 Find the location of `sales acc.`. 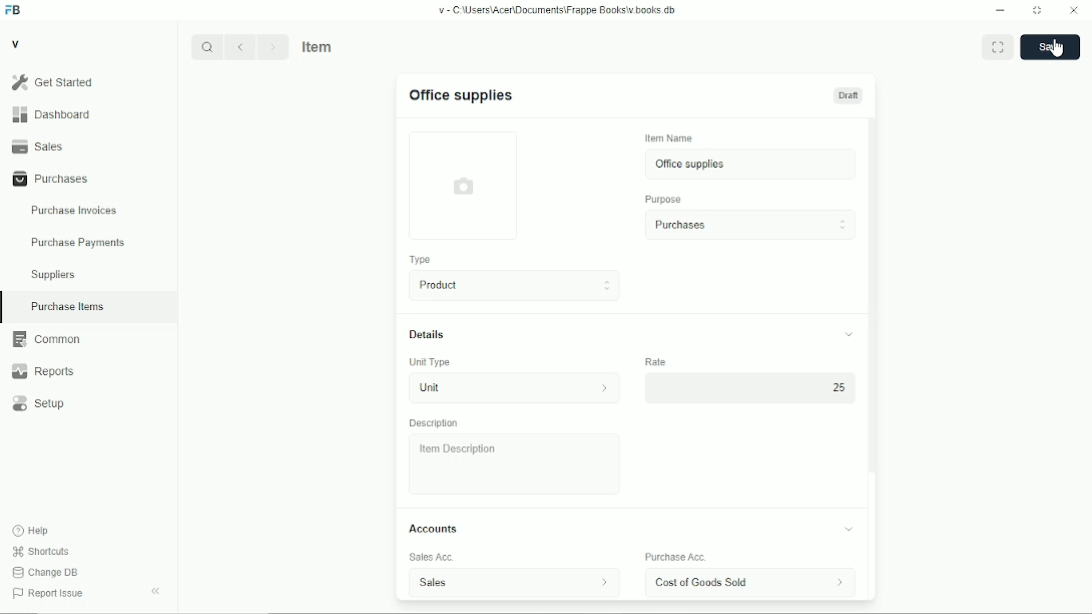

sales acc. is located at coordinates (432, 557).